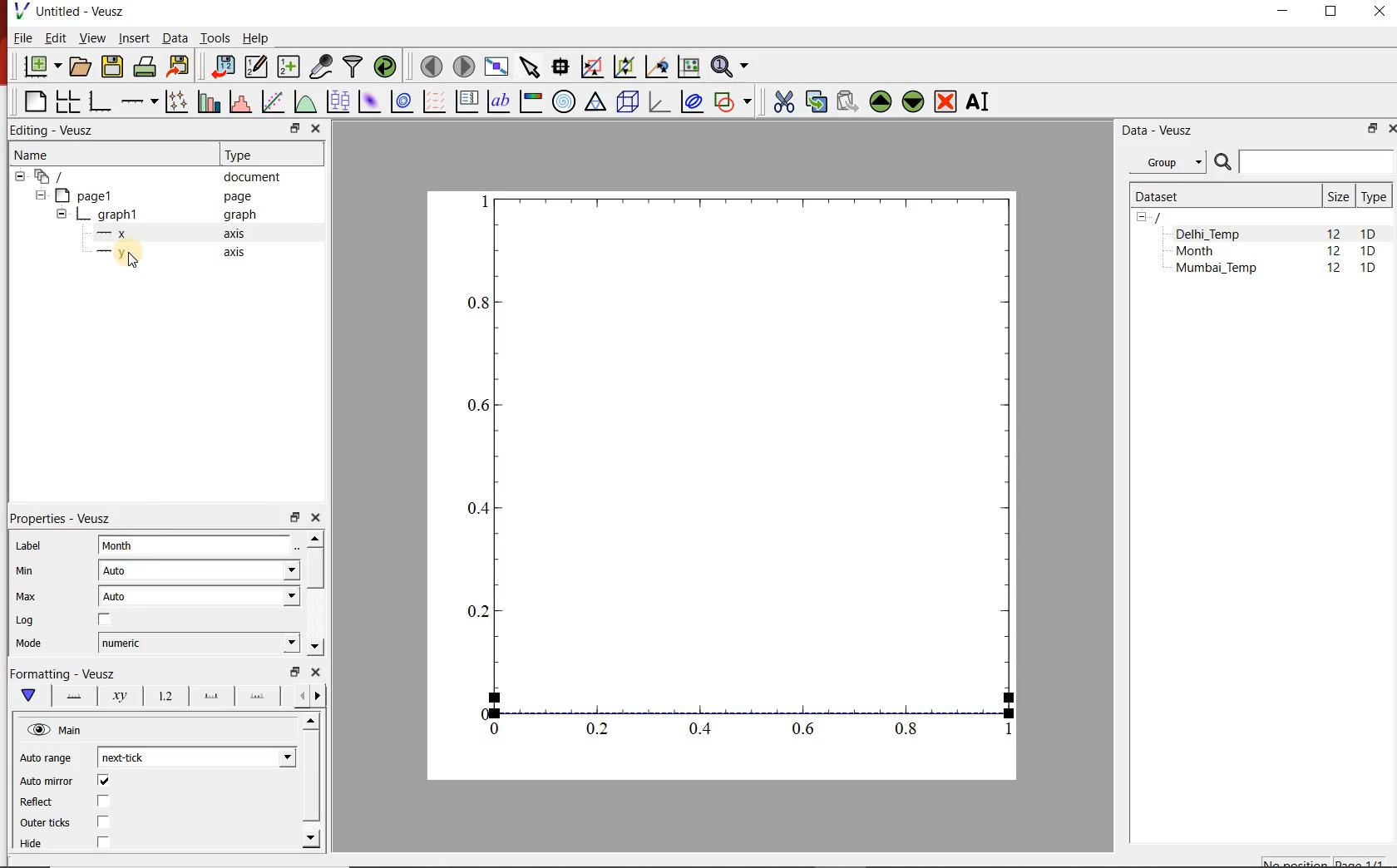 The image size is (1397, 868). What do you see at coordinates (402, 102) in the screenshot?
I see `plot a 2d dataset as contours` at bounding box center [402, 102].